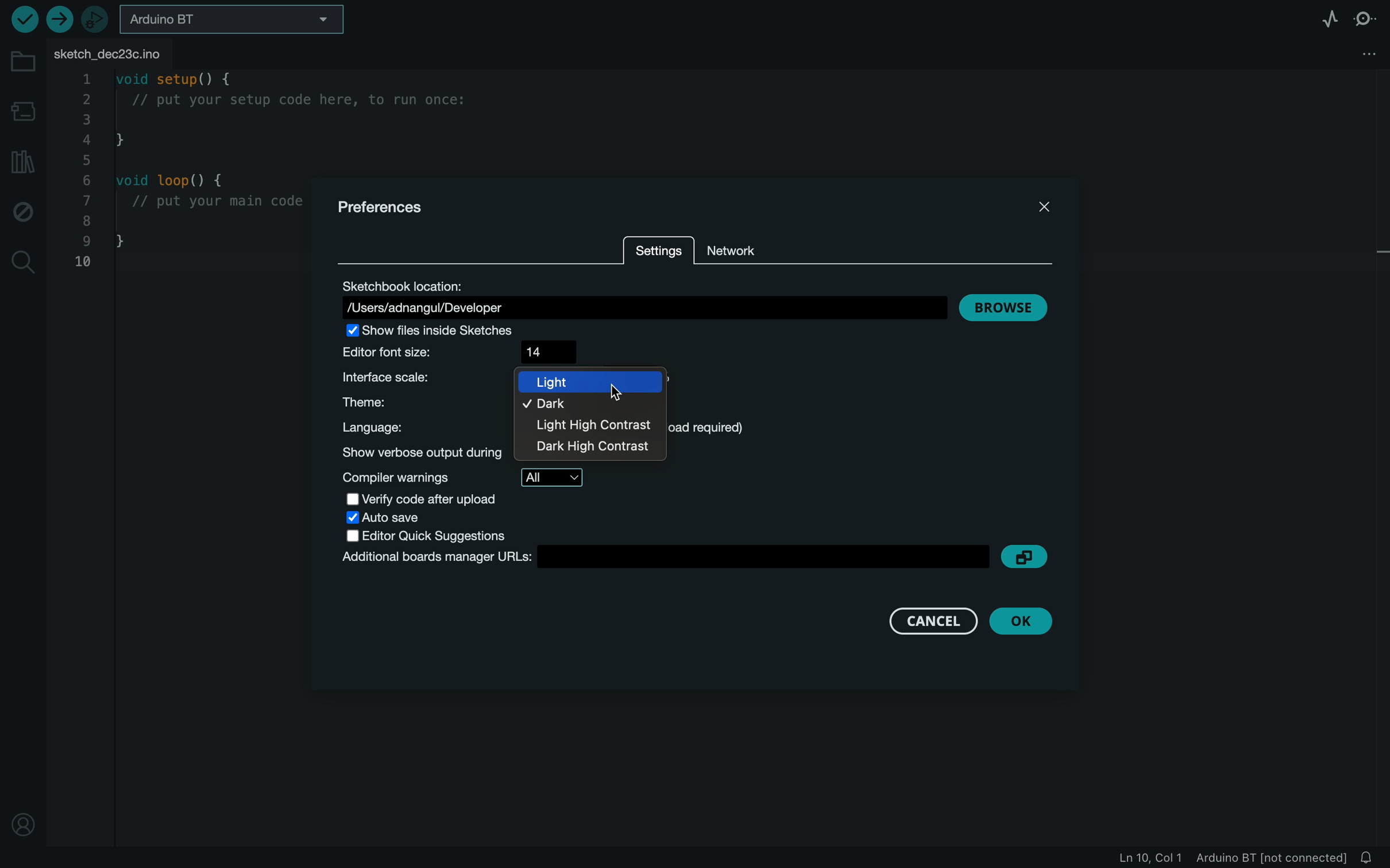 The height and width of the screenshot is (868, 1390). Describe the element at coordinates (22, 263) in the screenshot. I see `search` at that location.